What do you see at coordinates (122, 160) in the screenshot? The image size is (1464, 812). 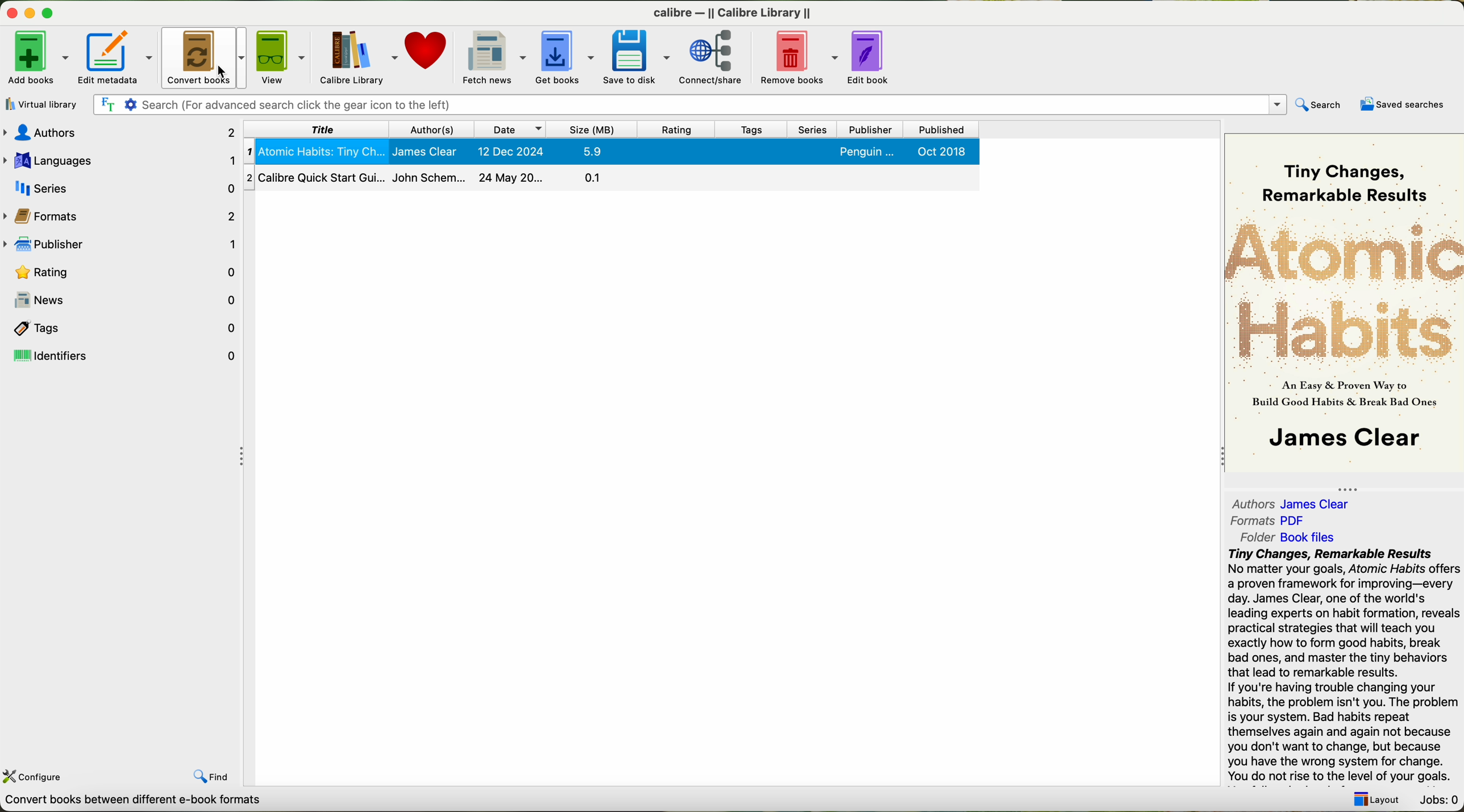 I see `languages` at bounding box center [122, 160].